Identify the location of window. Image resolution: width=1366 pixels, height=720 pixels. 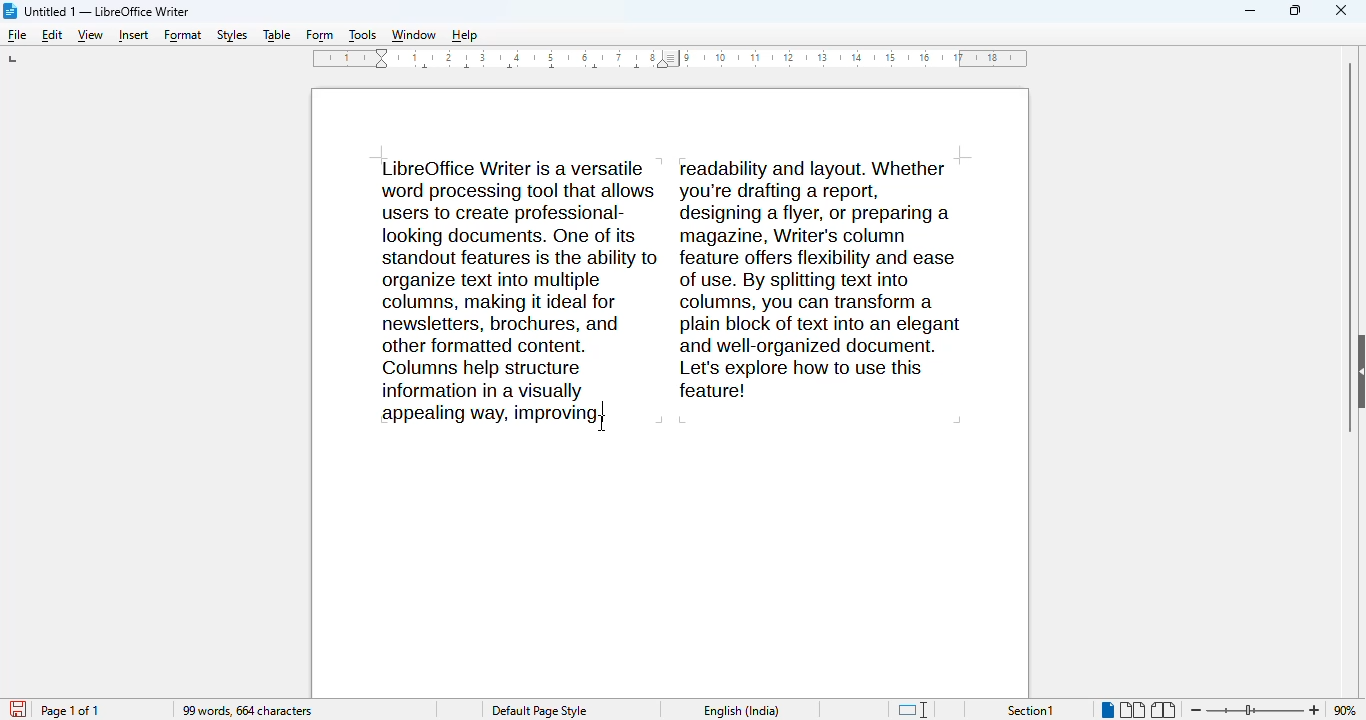
(413, 37).